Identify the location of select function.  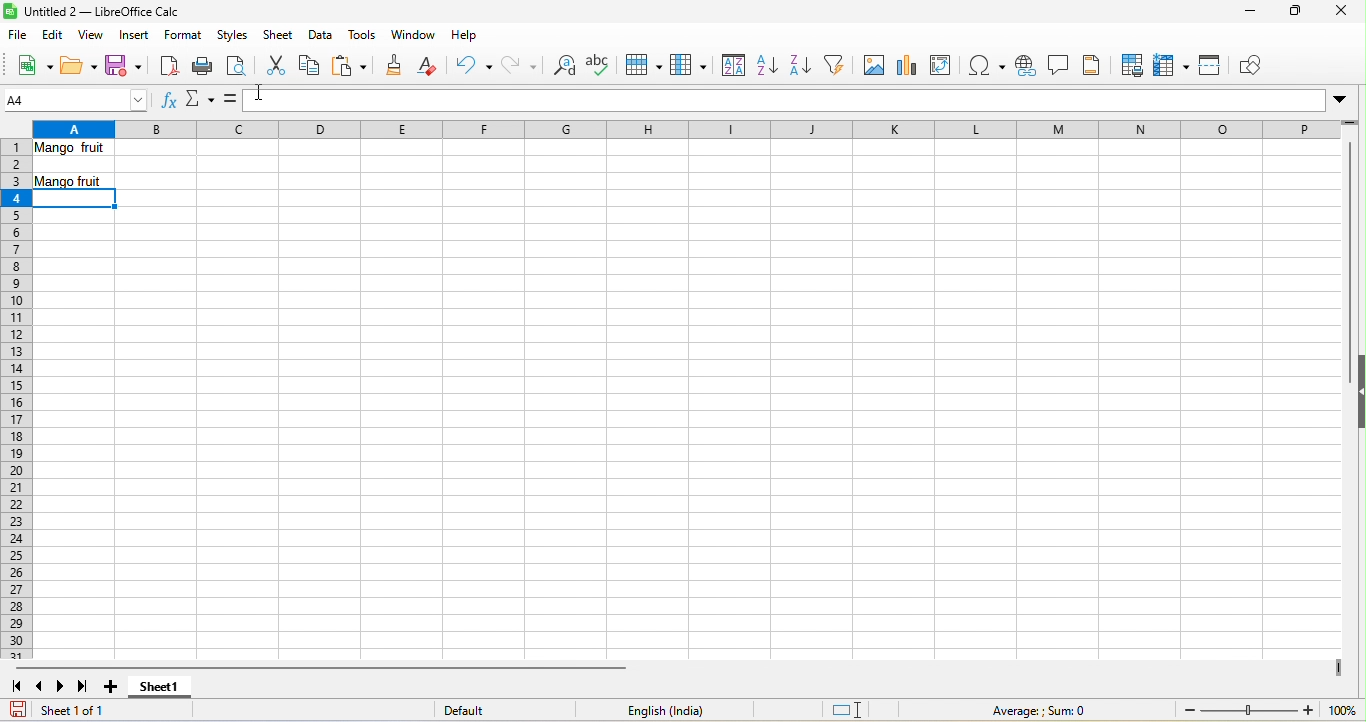
(198, 103).